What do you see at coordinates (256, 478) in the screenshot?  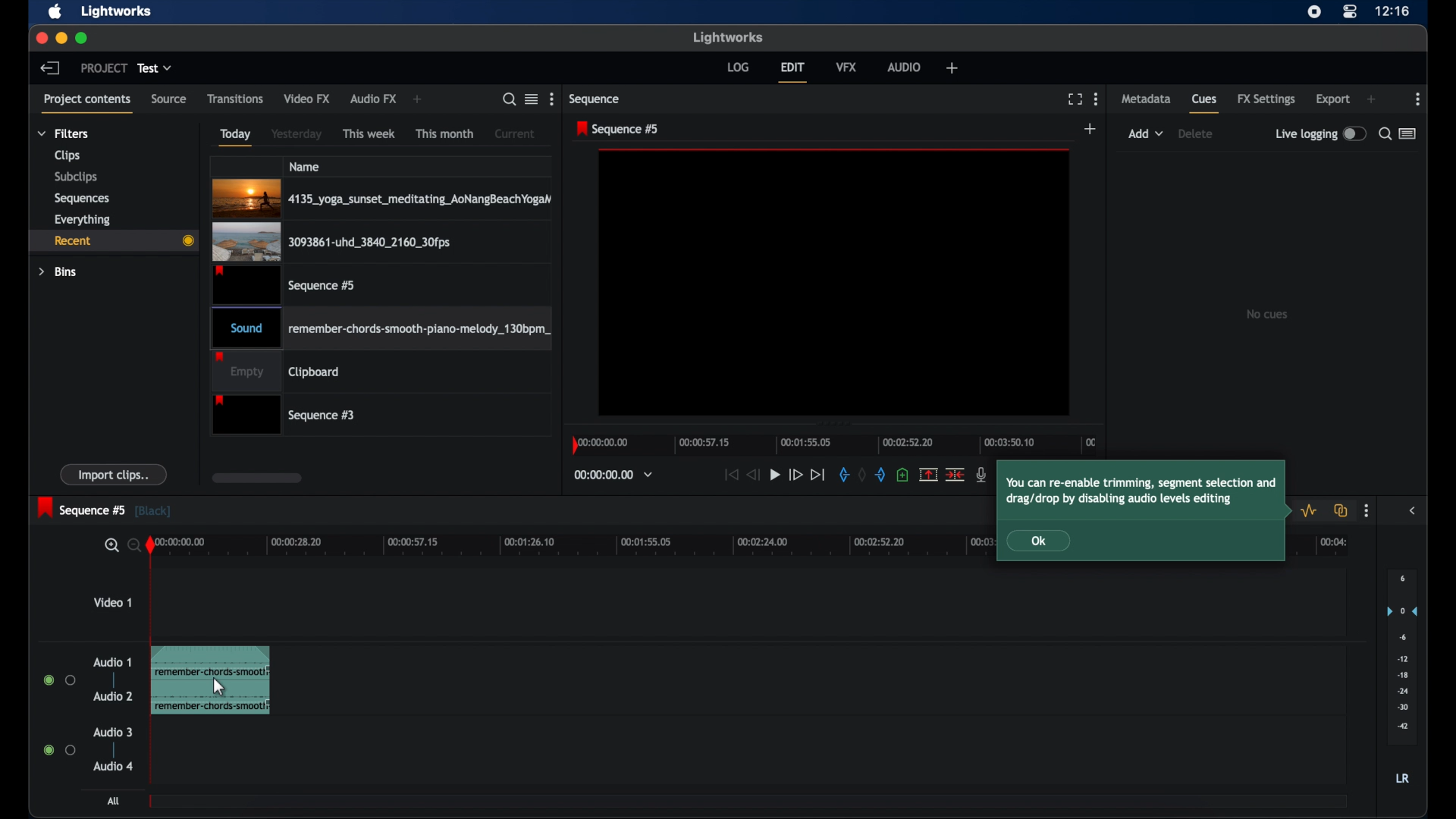 I see `scroll box` at bounding box center [256, 478].